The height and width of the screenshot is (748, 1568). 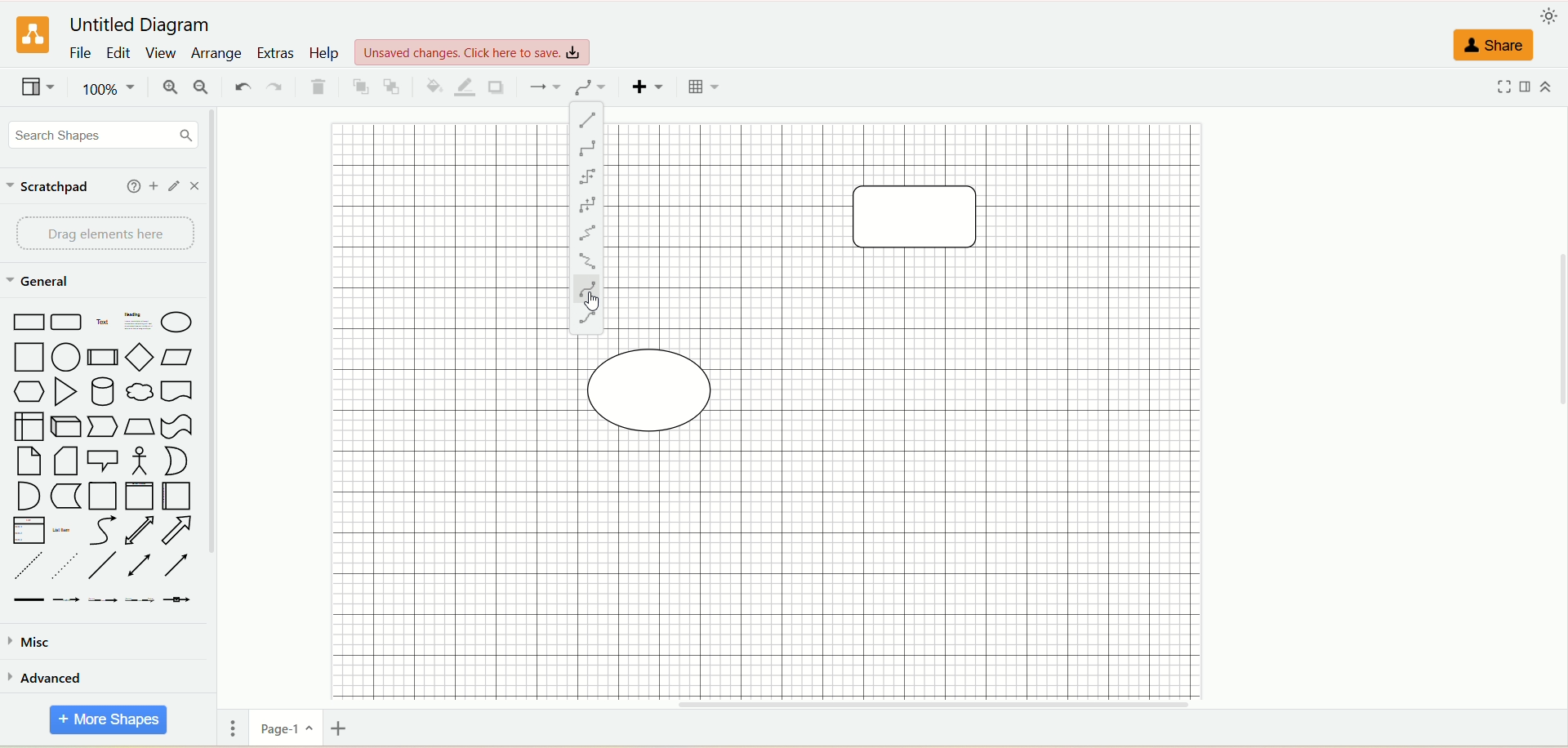 I want to click on entity, so click(x=586, y=317).